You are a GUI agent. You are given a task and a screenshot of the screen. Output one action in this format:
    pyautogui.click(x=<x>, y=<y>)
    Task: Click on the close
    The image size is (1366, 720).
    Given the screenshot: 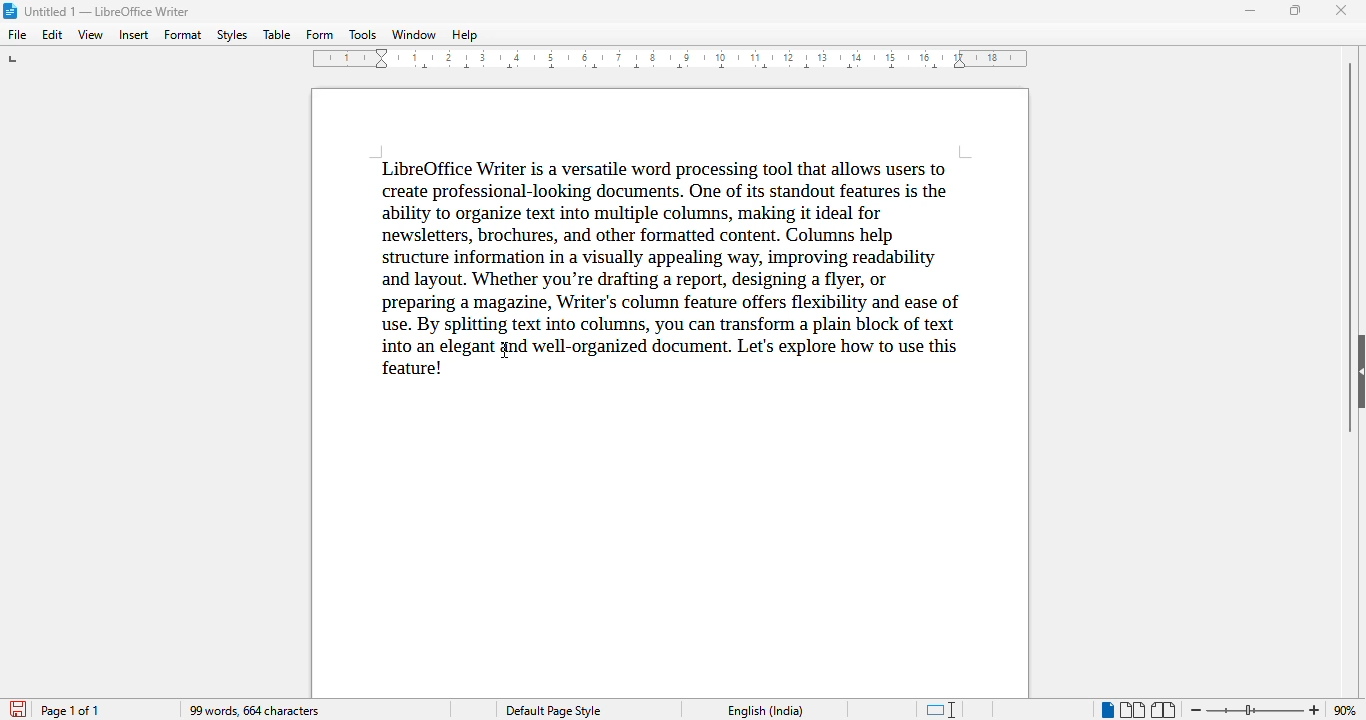 What is the action you would take?
    pyautogui.click(x=1341, y=10)
    